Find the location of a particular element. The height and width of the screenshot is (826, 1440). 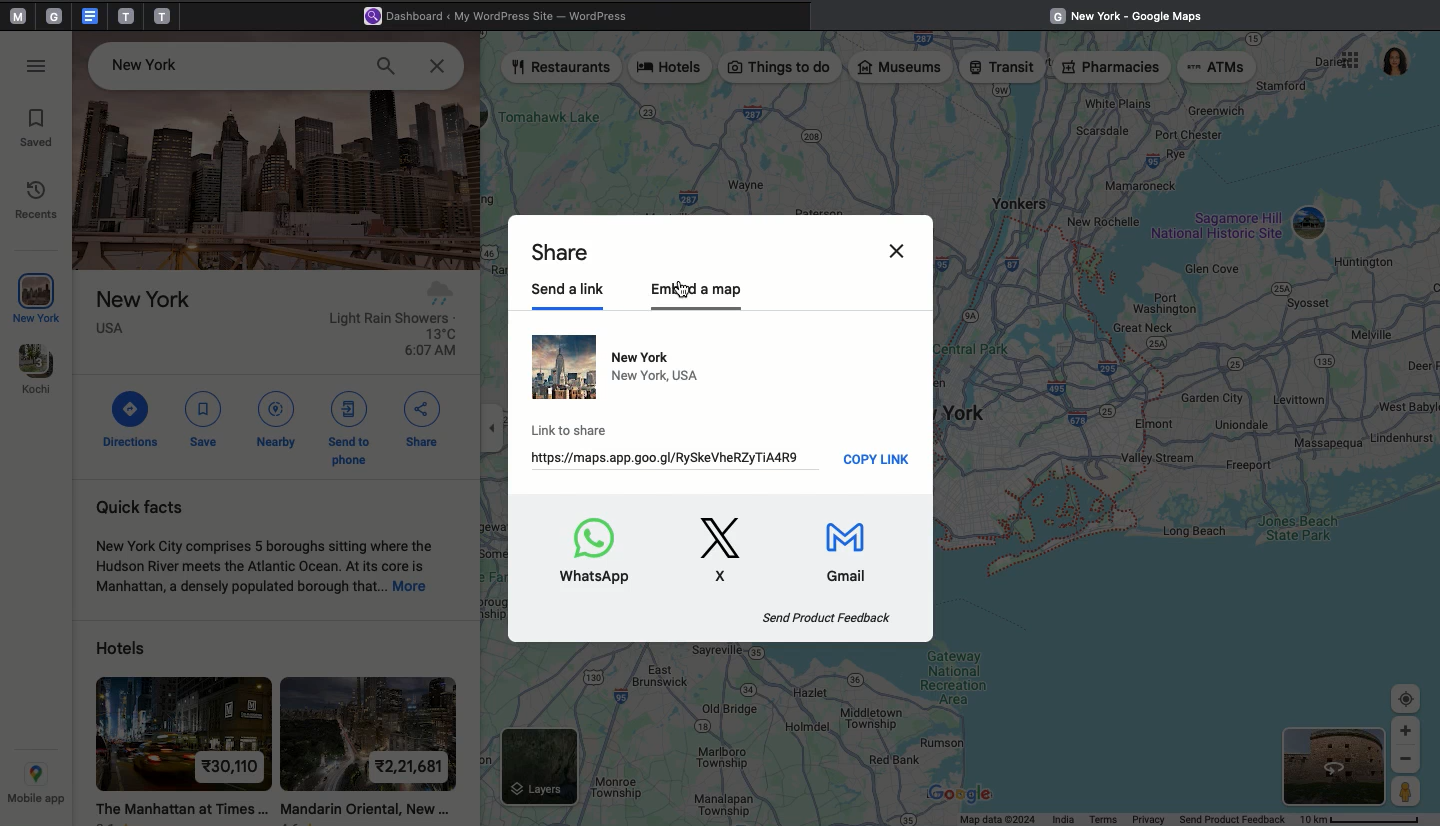

Search is located at coordinates (386, 66).